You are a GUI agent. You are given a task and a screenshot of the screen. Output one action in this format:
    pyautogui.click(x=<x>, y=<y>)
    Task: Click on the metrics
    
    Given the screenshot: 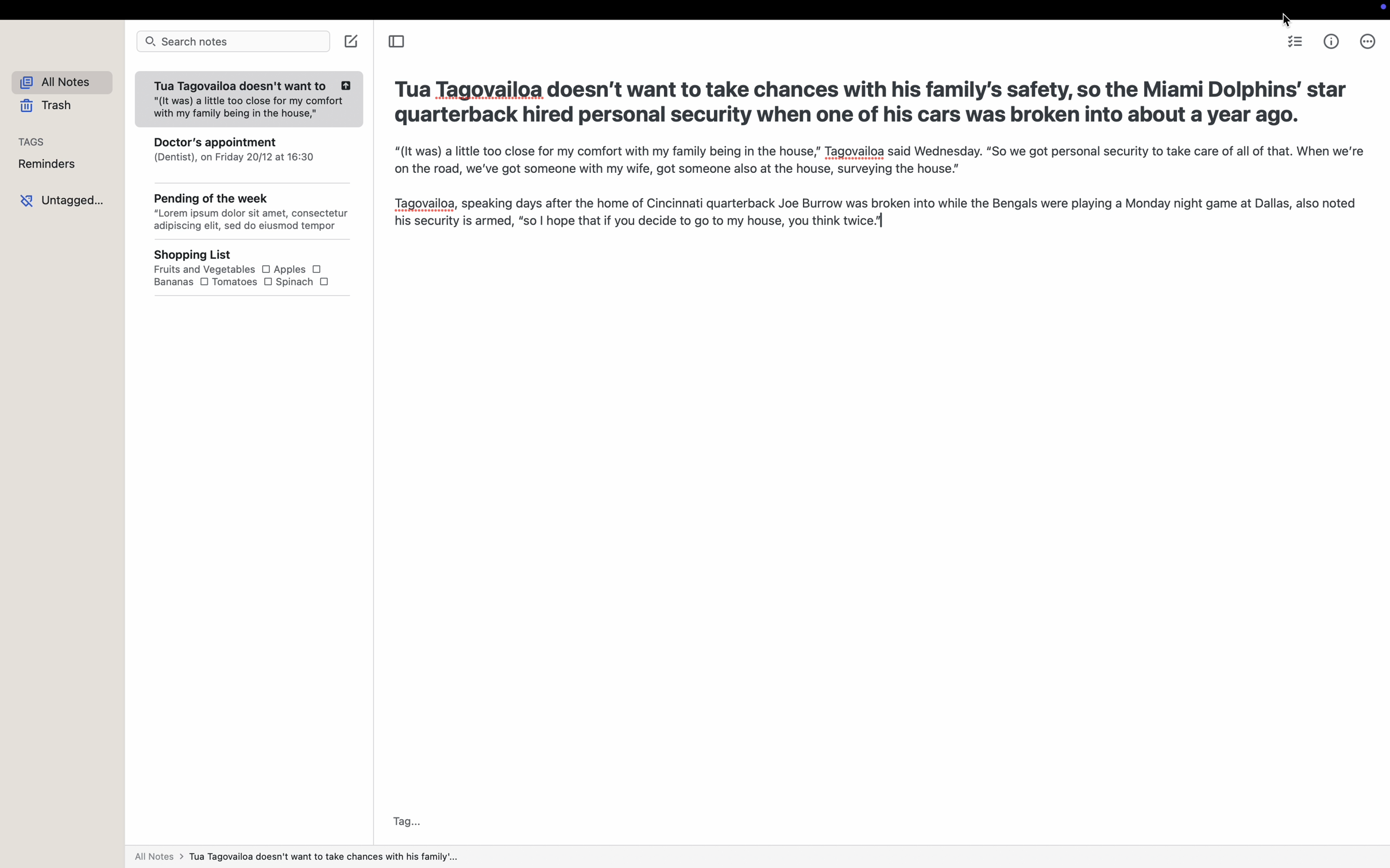 What is the action you would take?
    pyautogui.click(x=1333, y=41)
    